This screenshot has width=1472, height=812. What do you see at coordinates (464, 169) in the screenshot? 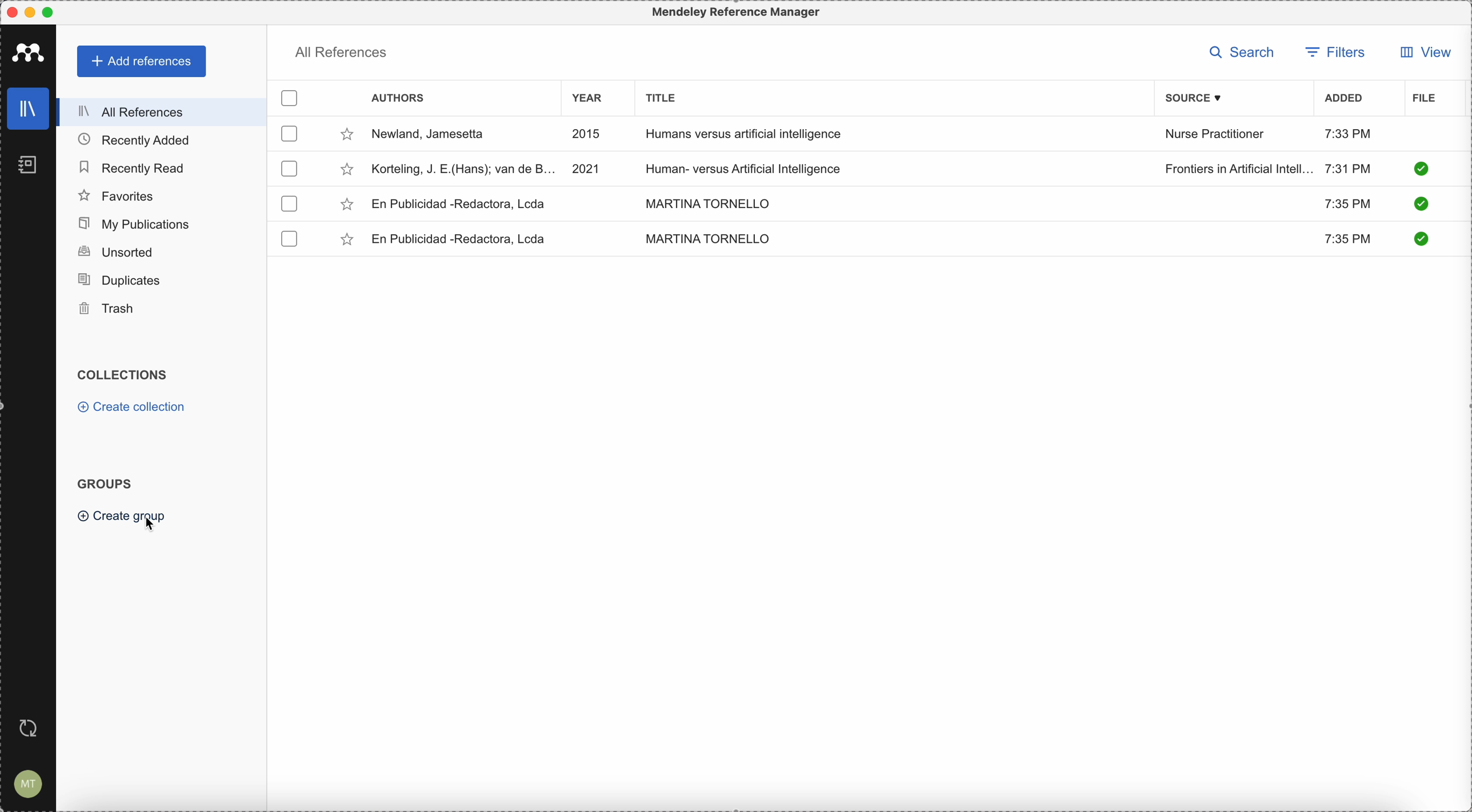
I see `Korteling, J.E.(Hans)` at bounding box center [464, 169].